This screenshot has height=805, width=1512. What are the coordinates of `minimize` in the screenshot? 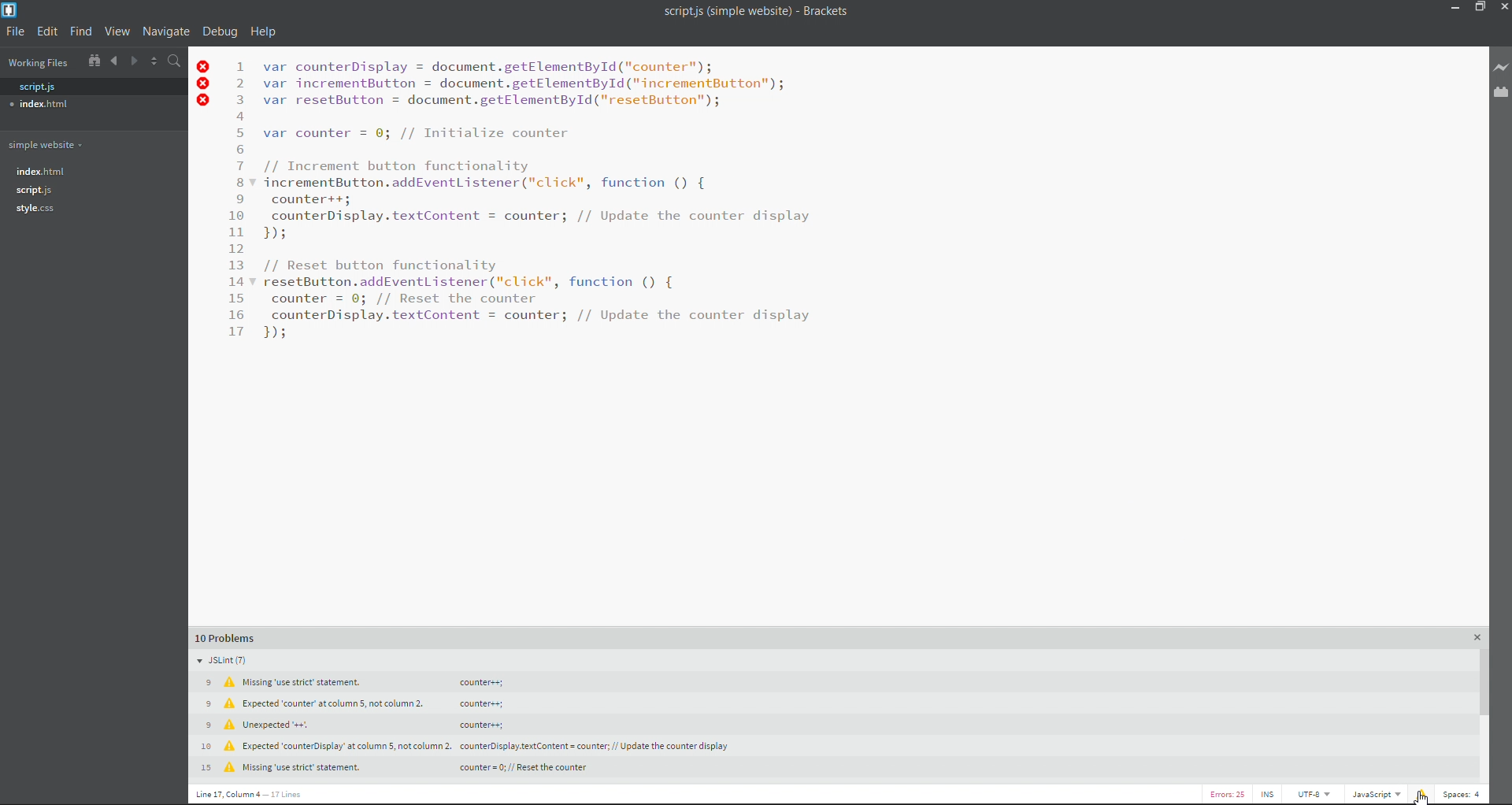 It's located at (1453, 11).